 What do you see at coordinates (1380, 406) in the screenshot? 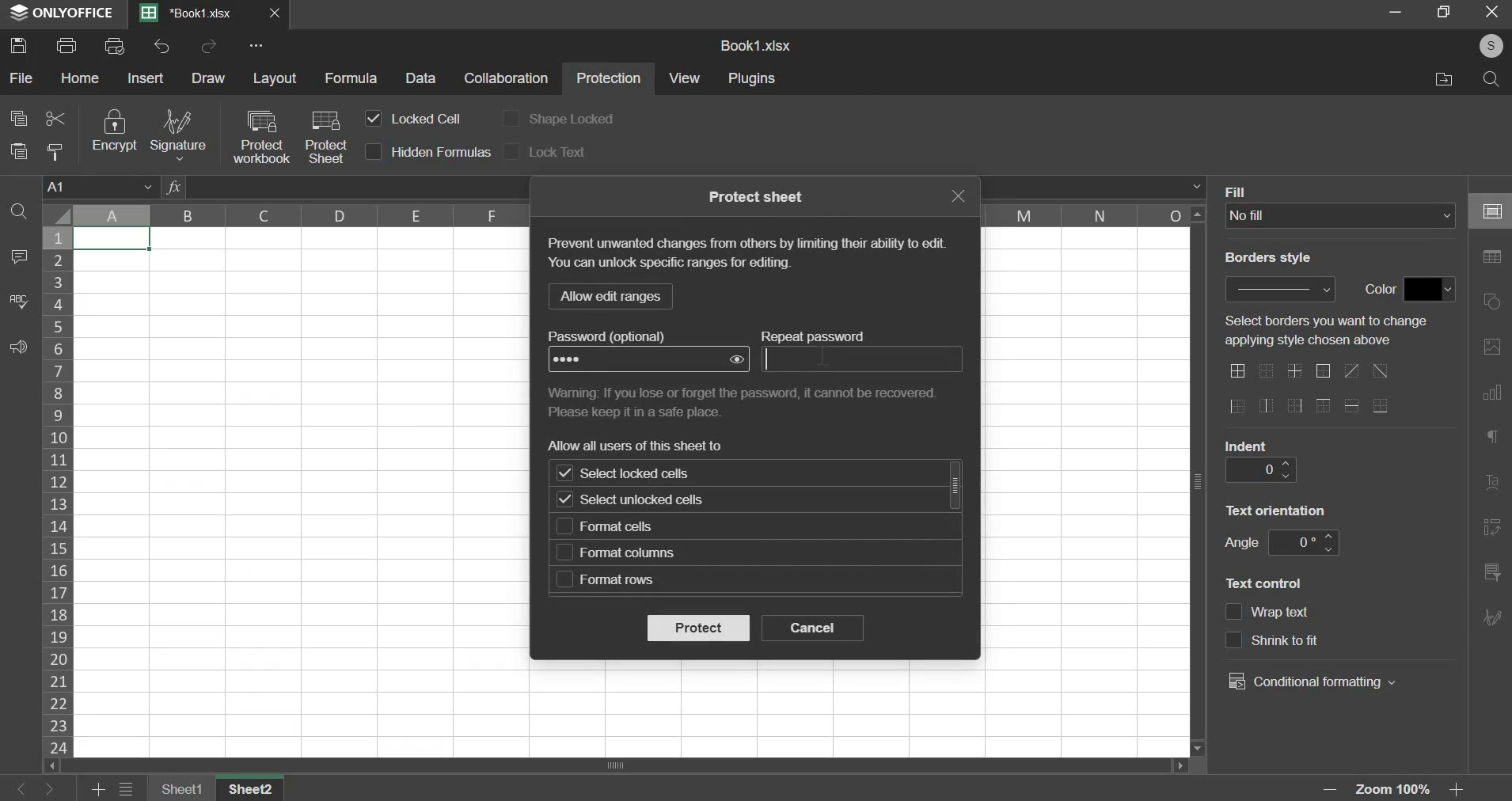
I see `border options` at bounding box center [1380, 406].